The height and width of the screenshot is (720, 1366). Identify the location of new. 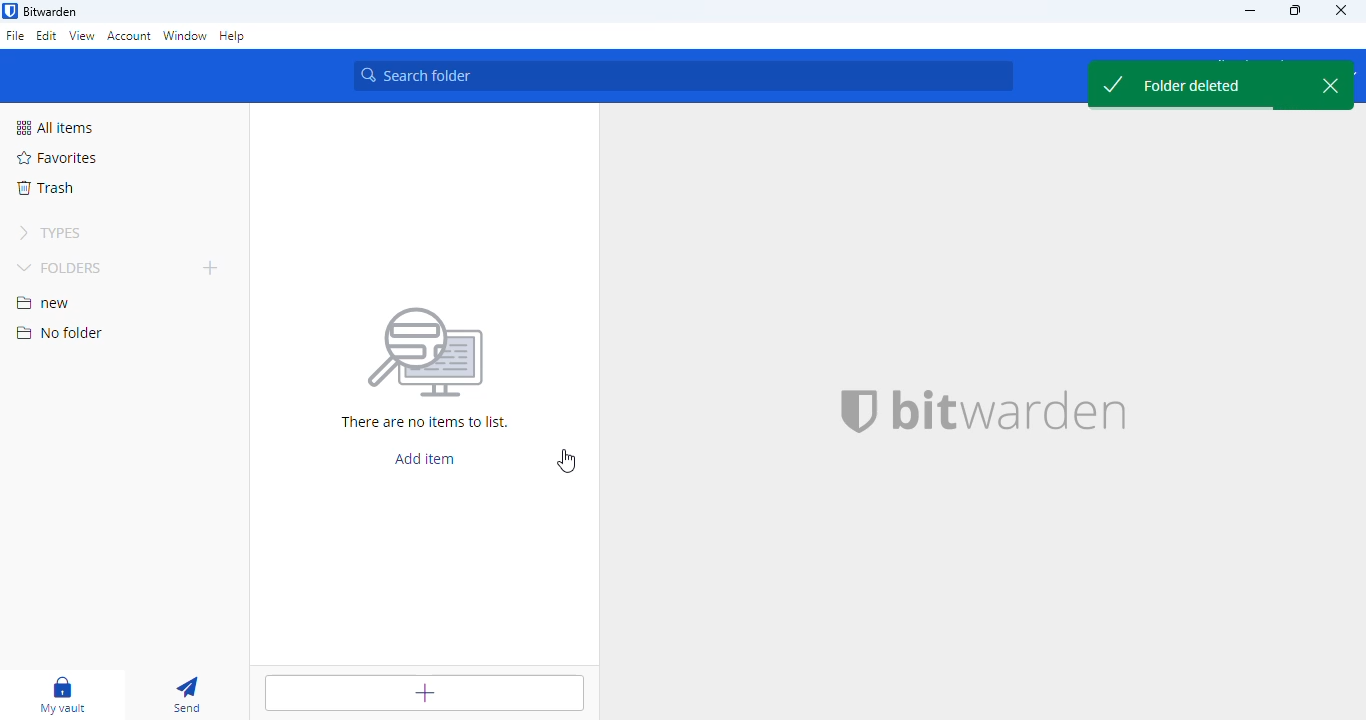
(43, 302).